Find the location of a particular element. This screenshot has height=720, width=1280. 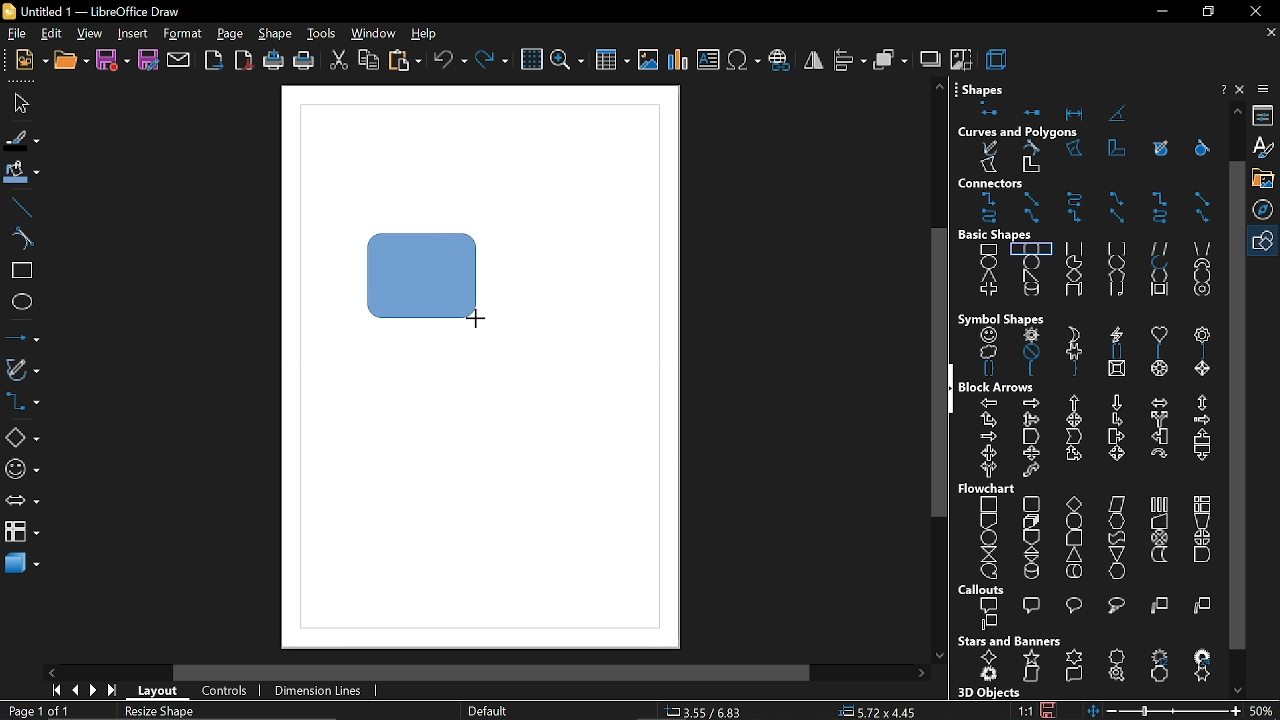

3d shapes is located at coordinates (20, 565).